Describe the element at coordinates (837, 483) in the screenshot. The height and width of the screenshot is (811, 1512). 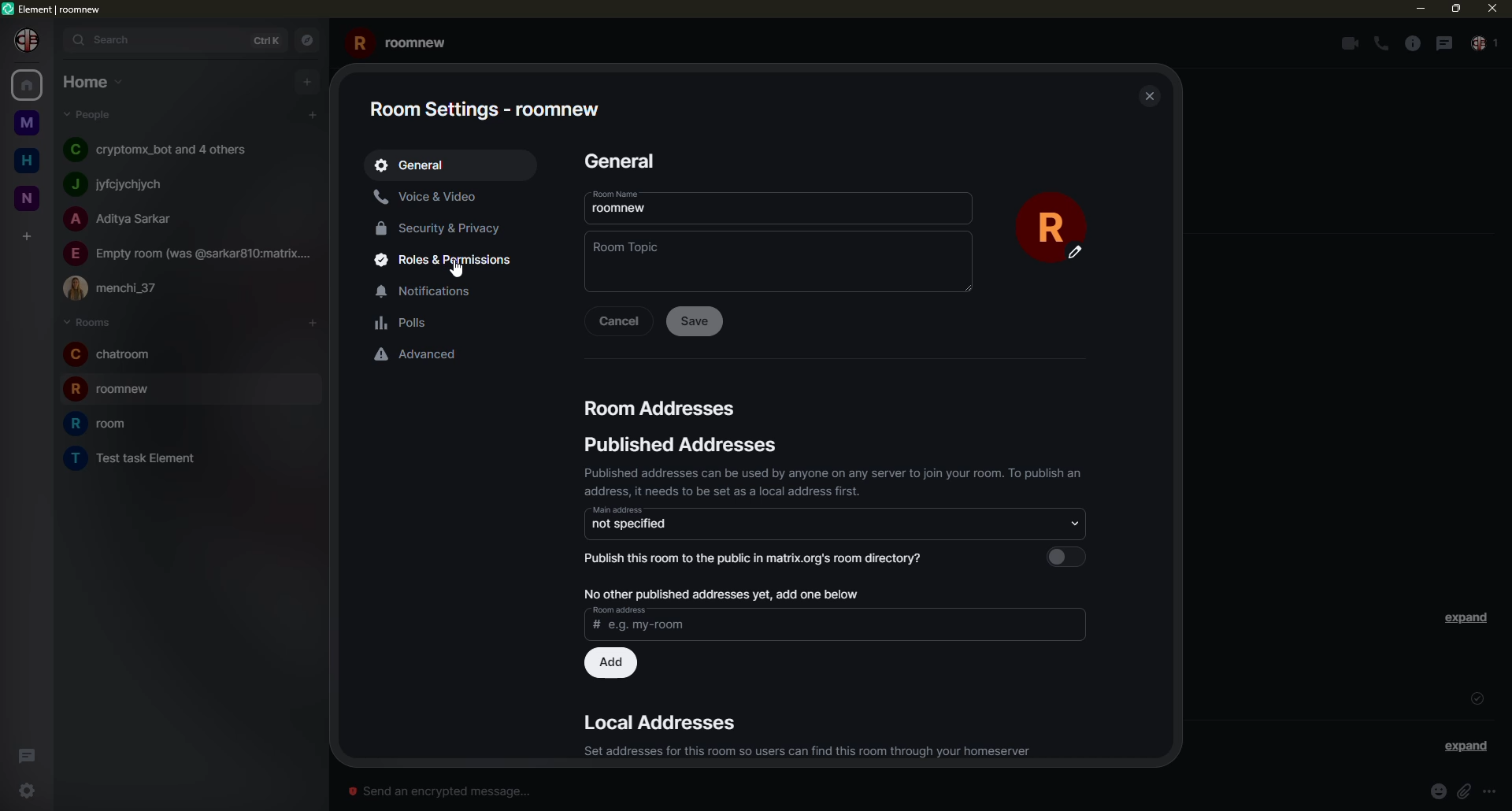
I see `published addresses can be used` at that location.